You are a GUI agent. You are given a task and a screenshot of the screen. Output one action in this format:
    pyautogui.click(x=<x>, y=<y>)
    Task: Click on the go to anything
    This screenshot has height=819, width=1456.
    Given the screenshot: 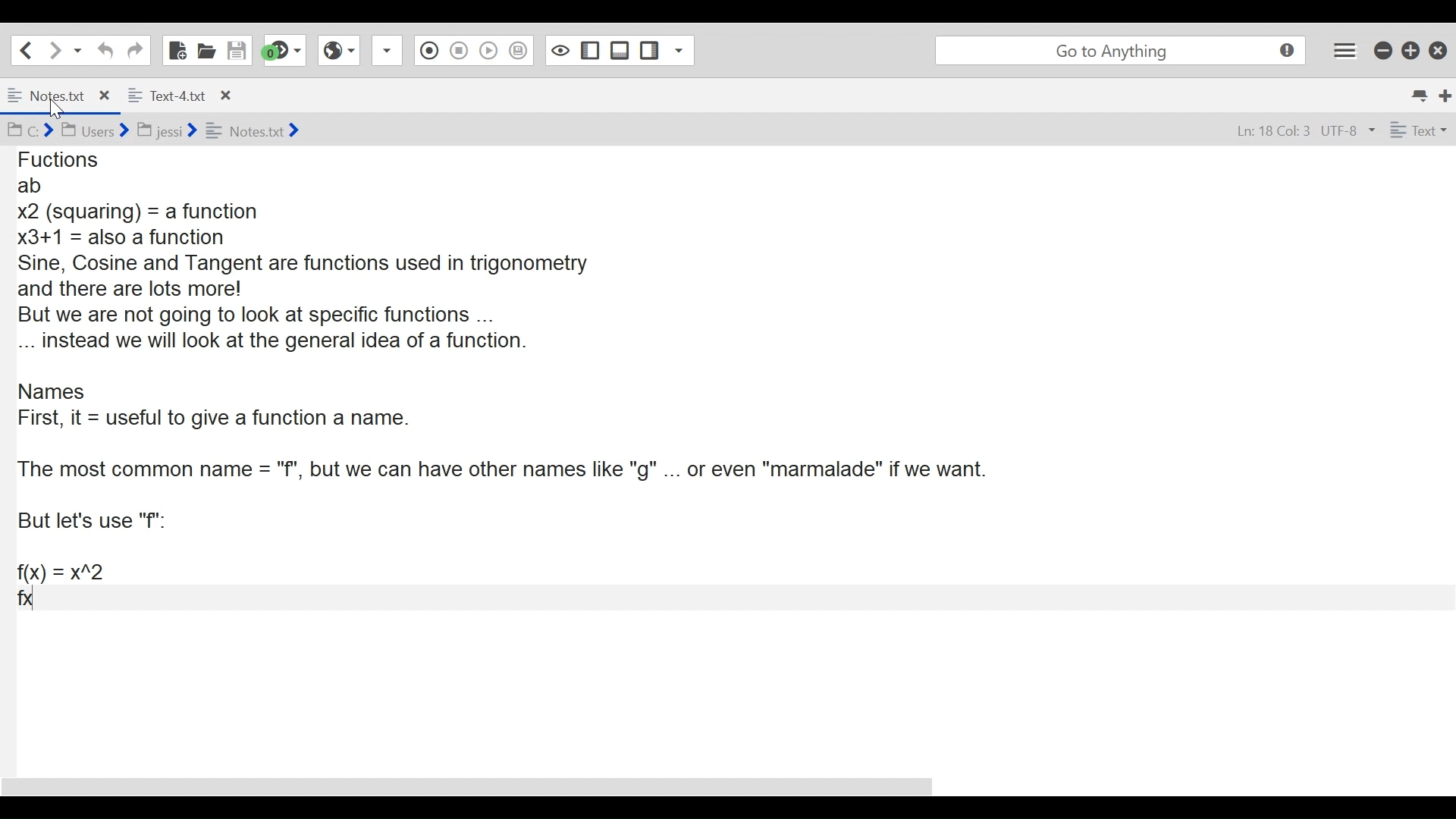 What is the action you would take?
    pyautogui.click(x=1118, y=50)
    